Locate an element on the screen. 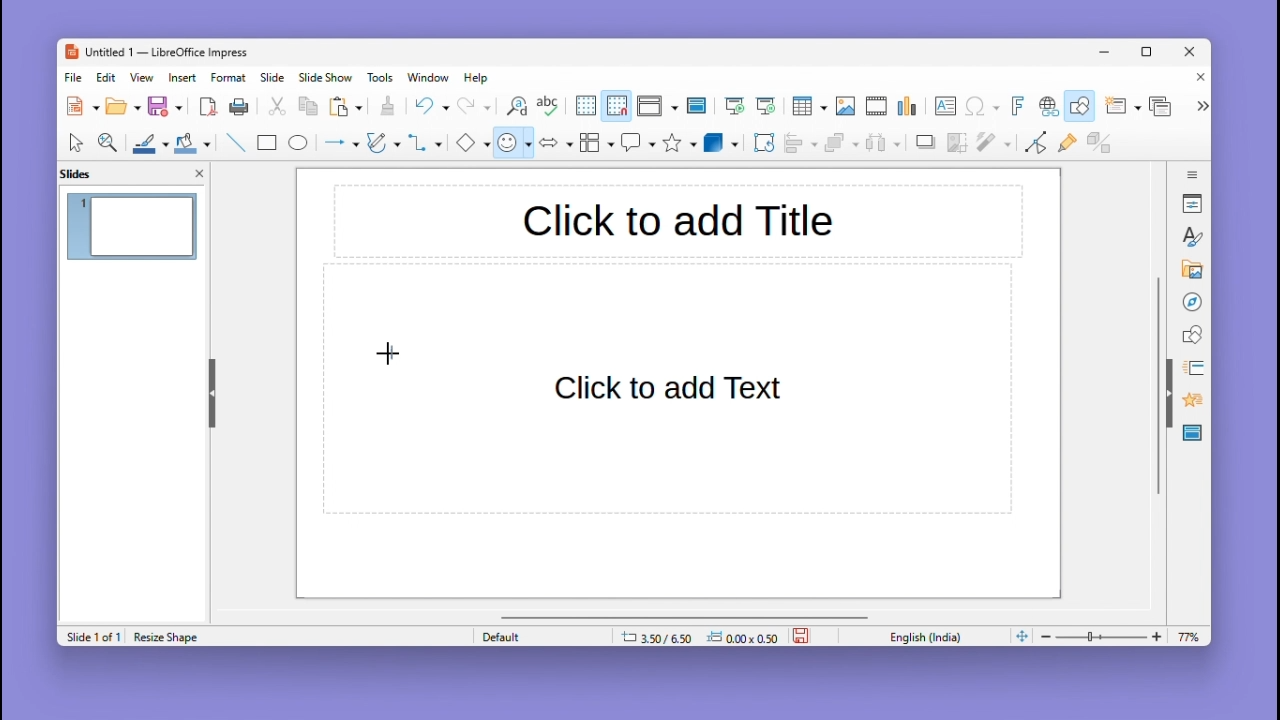 The image size is (1280, 720). Rectangle is located at coordinates (265, 142).